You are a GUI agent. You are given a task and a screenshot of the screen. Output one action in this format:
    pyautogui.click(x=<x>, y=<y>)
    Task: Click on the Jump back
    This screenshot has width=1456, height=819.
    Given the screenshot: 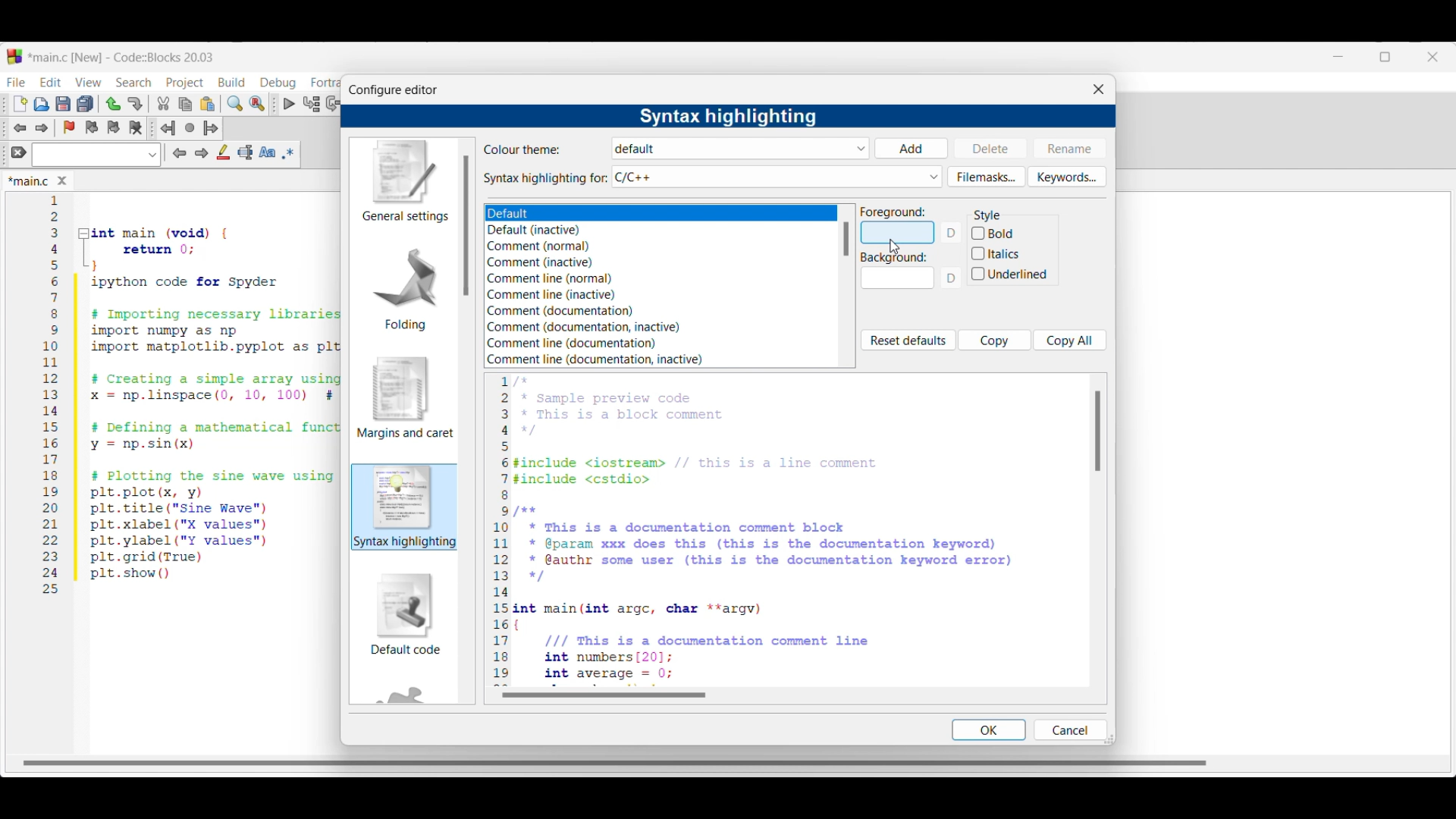 What is the action you would take?
    pyautogui.click(x=168, y=128)
    